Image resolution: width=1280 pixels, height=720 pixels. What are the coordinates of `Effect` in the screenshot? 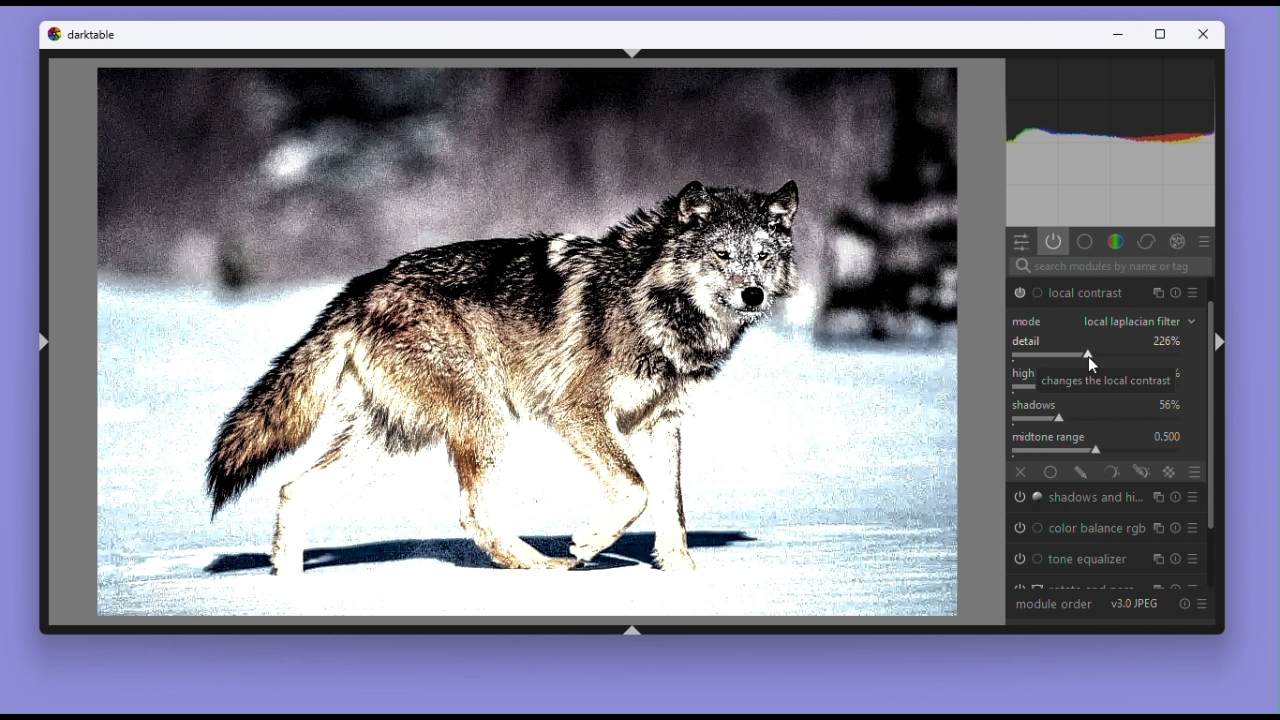 It's located at (1175, 242).